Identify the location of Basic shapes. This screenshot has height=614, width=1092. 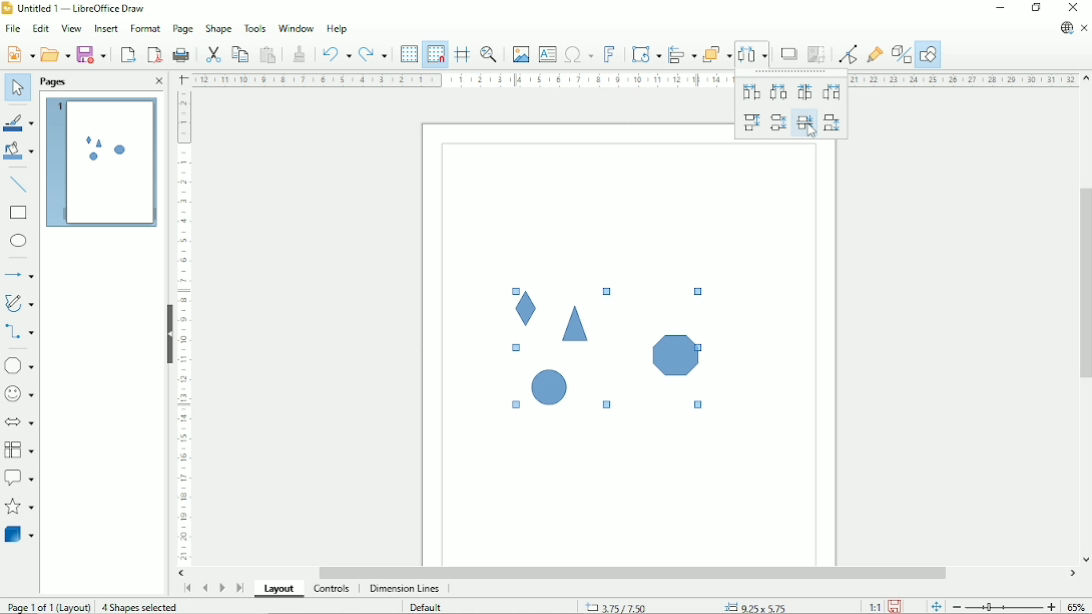
(22, 365).